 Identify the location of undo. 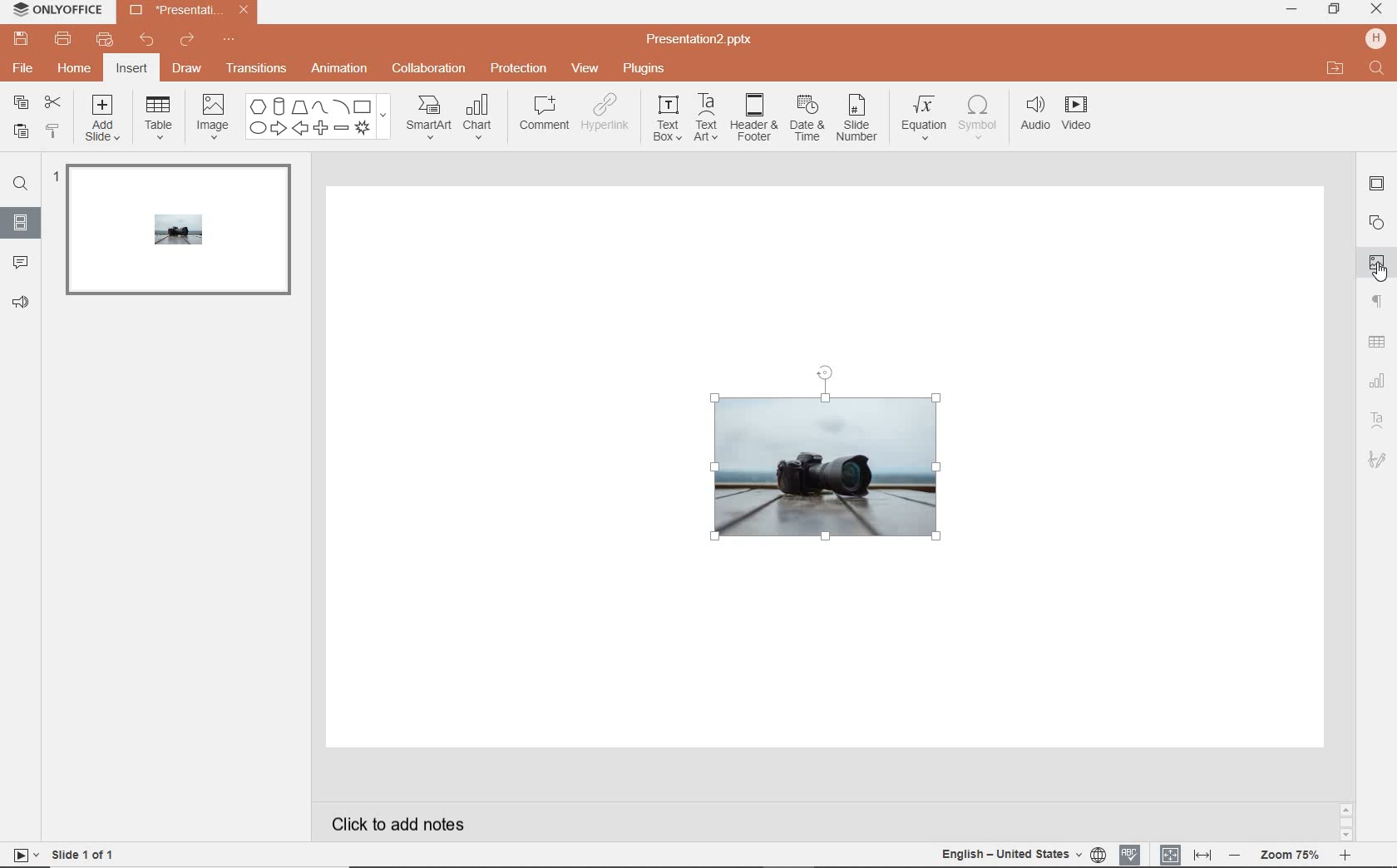
(147, 40).